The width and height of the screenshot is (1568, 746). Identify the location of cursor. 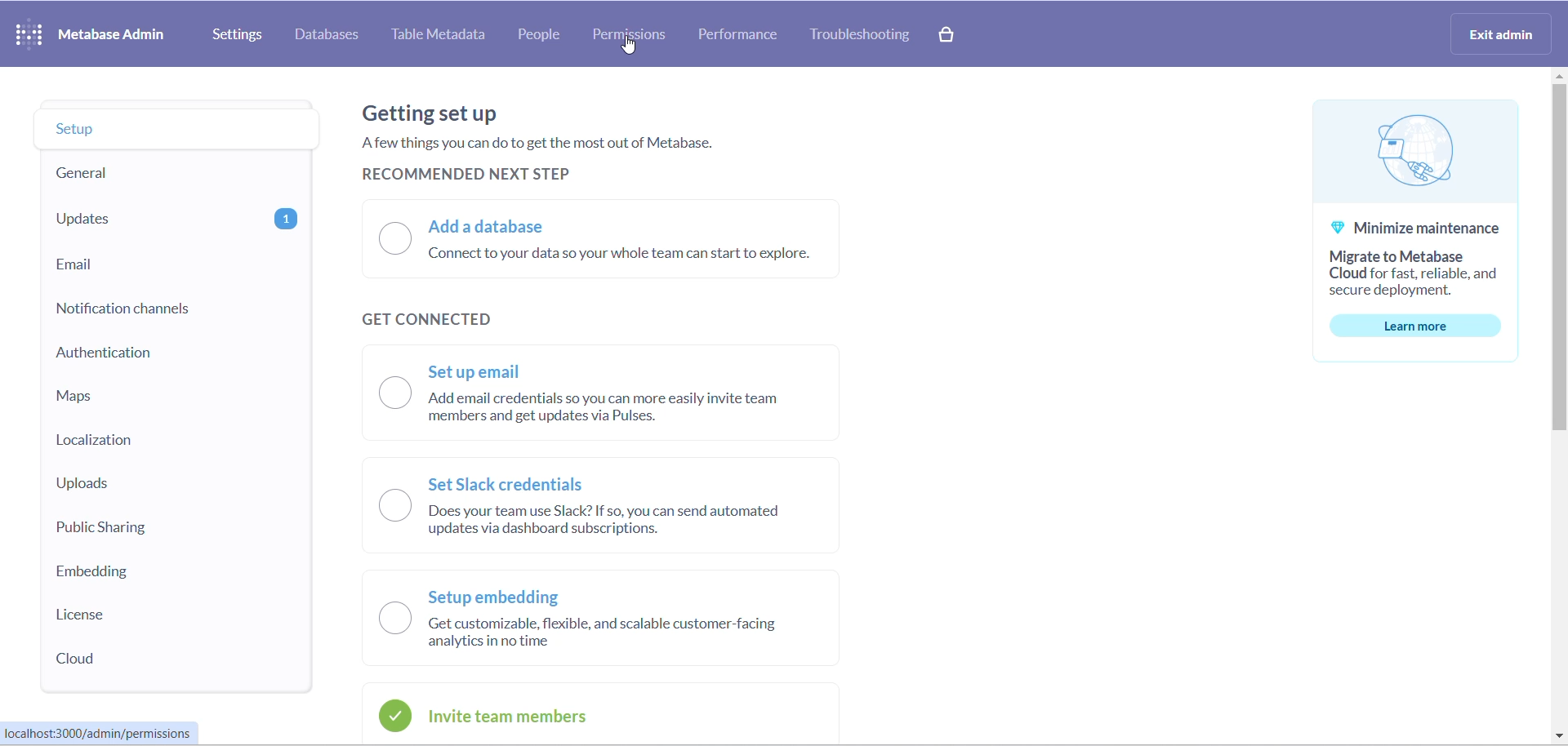
(629, 47).